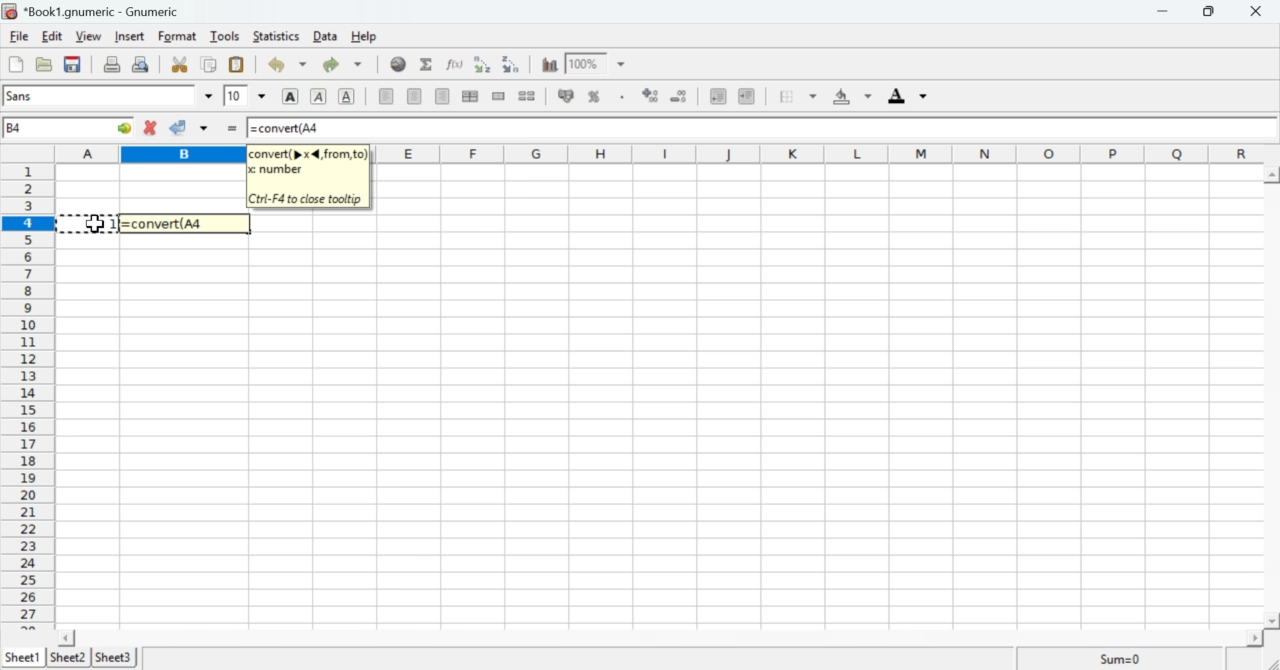  What do you see at coordinates (1271, 174) in the screenshot?
I see `scroll up` at bounding box center [1271, 174].